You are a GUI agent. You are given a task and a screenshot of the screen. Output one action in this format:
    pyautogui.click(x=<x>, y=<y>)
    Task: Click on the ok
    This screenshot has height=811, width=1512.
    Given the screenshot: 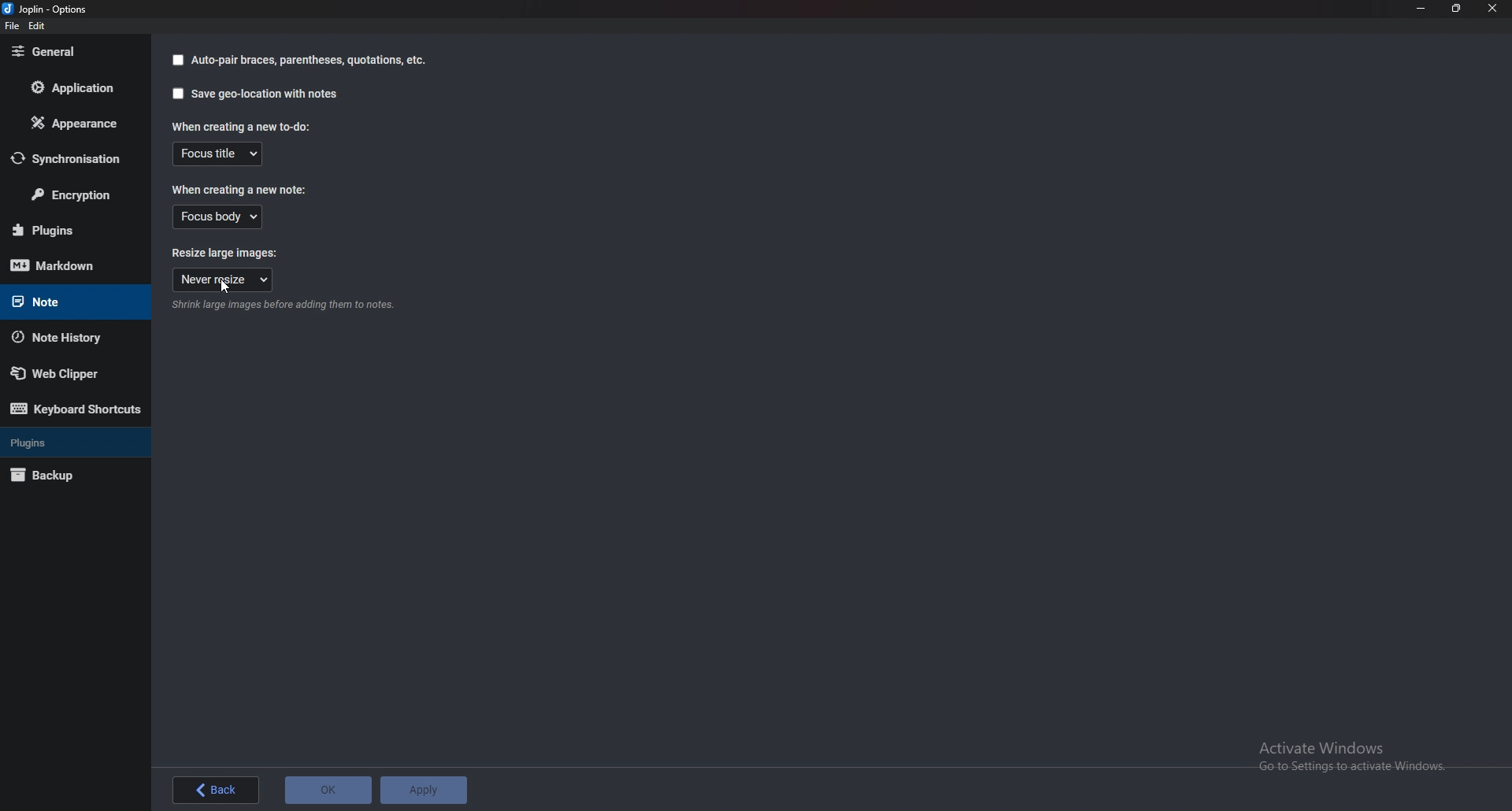 What is the action you would take?
    pyautogui.click(x=328, y=791)
    